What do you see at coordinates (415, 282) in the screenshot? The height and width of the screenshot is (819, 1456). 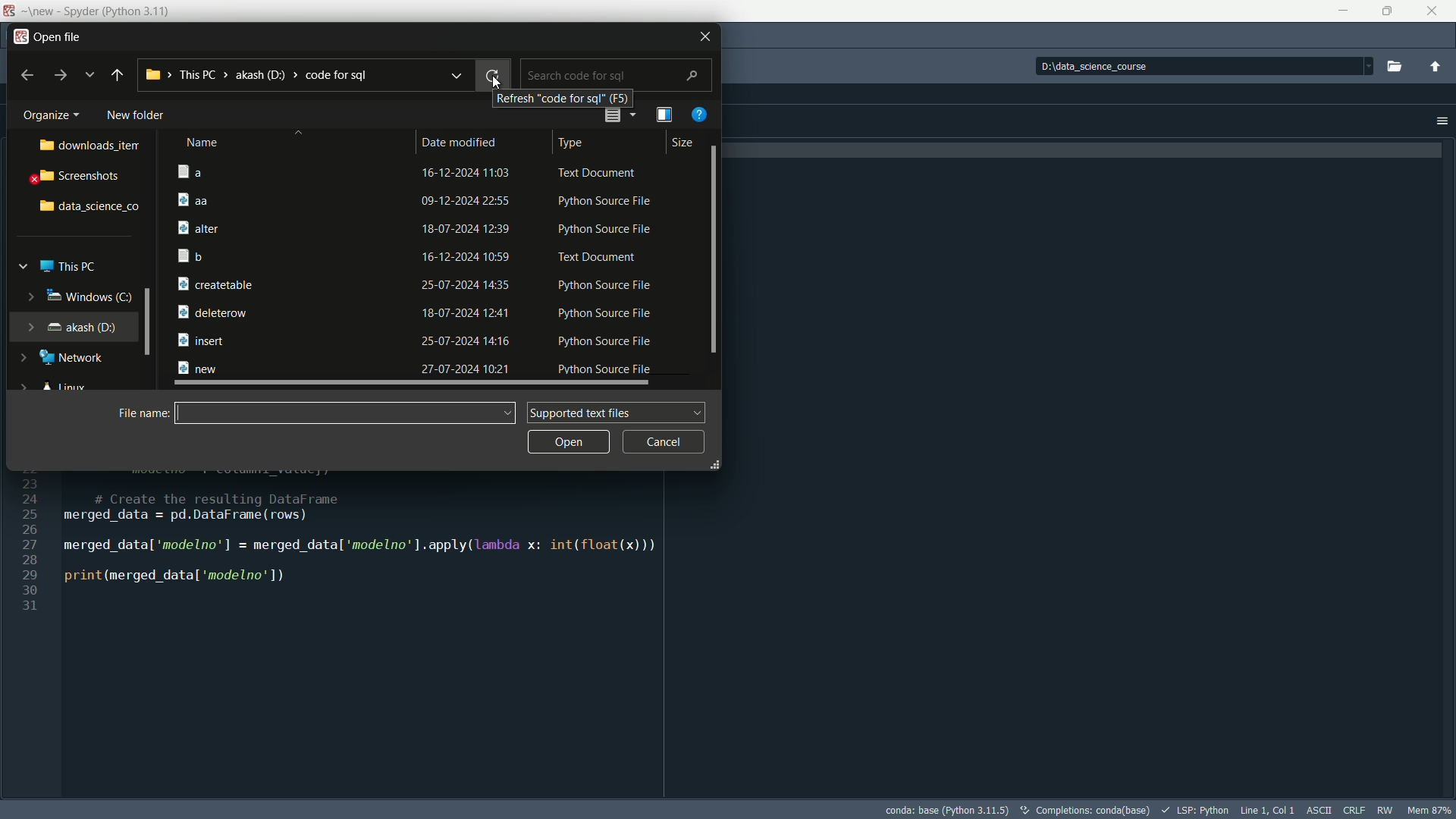 I see `file-5` at bounding box center [415, 282].